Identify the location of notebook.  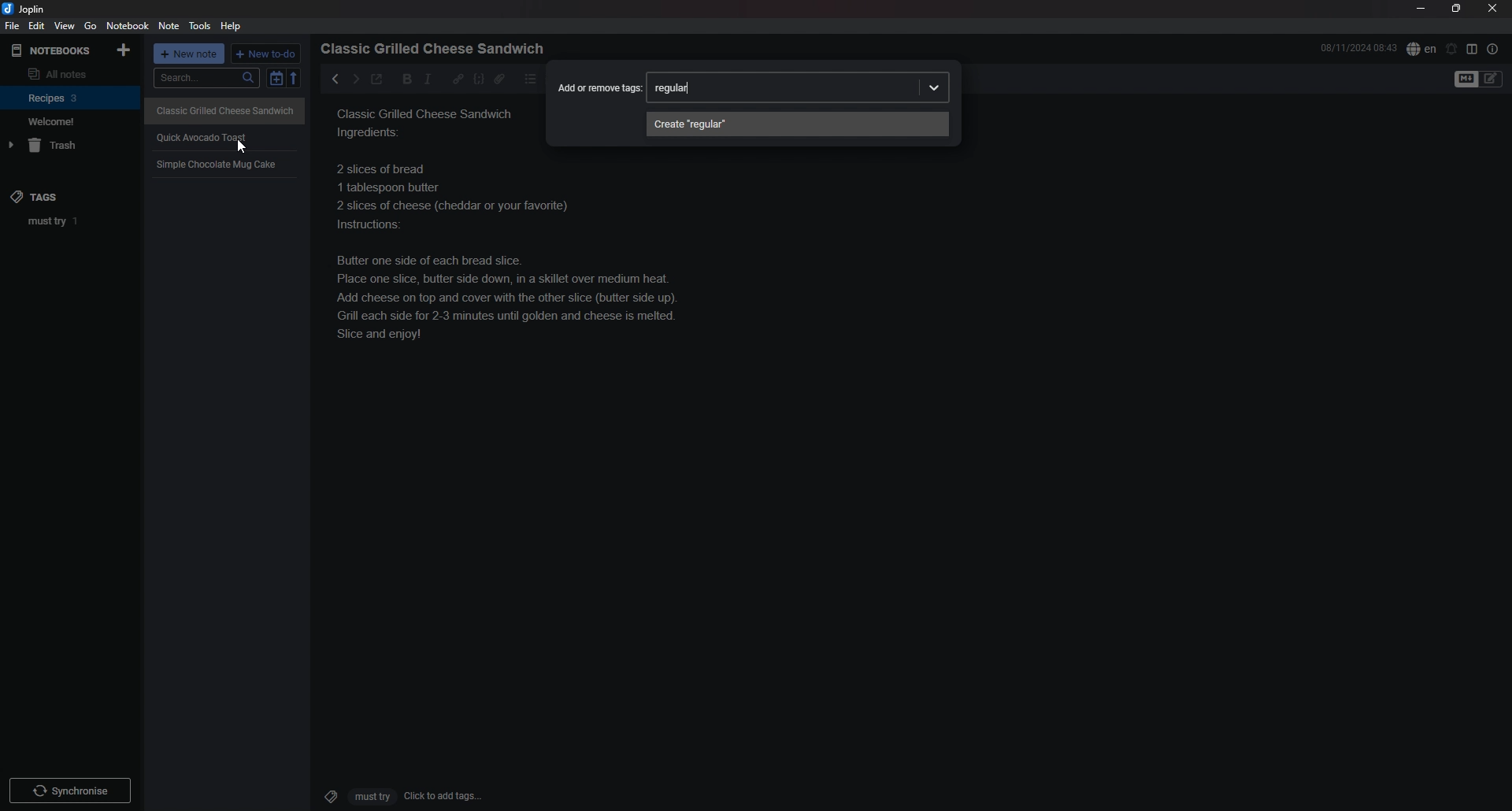
(69, 121).